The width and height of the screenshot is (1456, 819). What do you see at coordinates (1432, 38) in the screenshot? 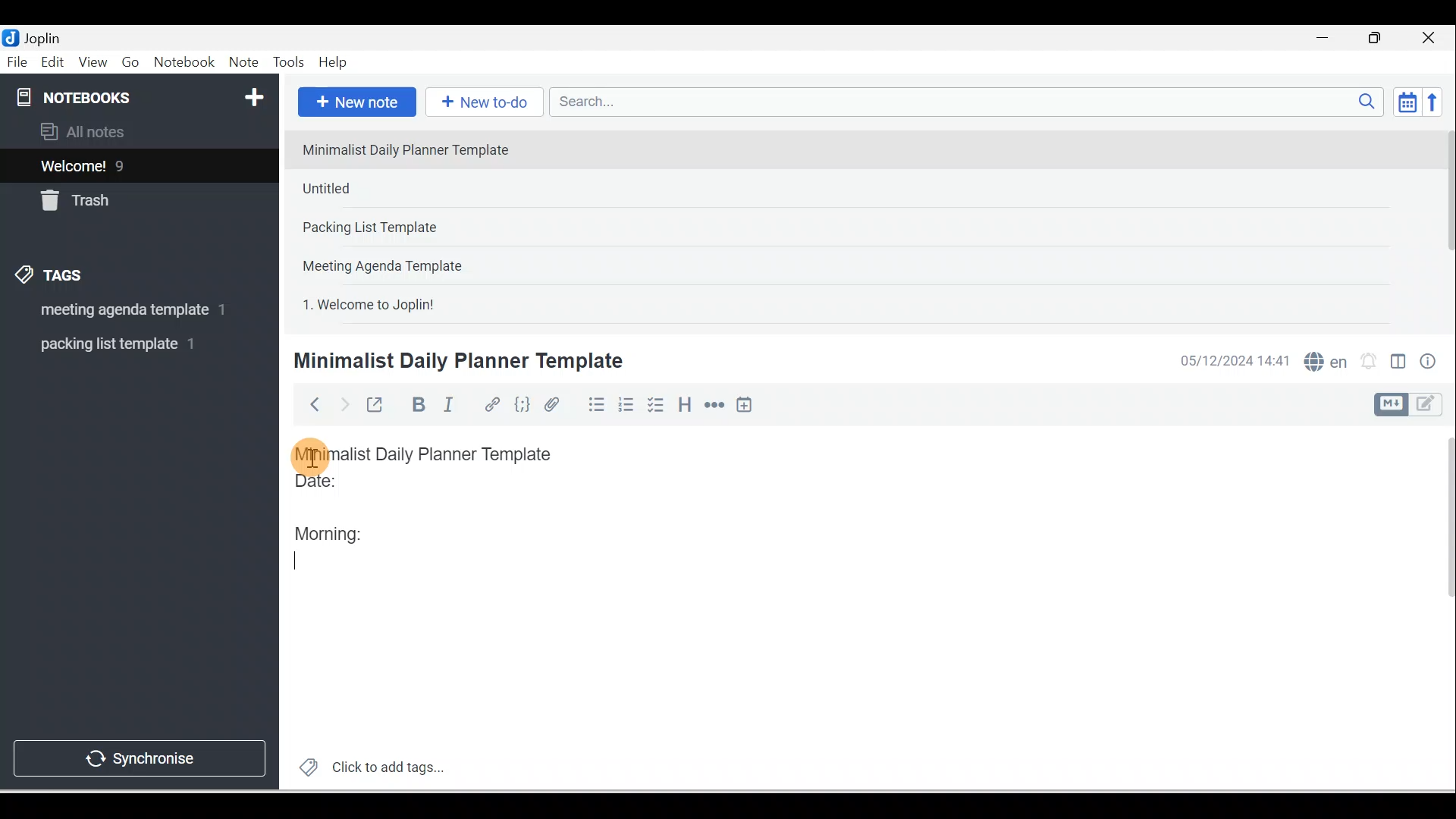
I see `Close` at bounding box center [1432, 38].